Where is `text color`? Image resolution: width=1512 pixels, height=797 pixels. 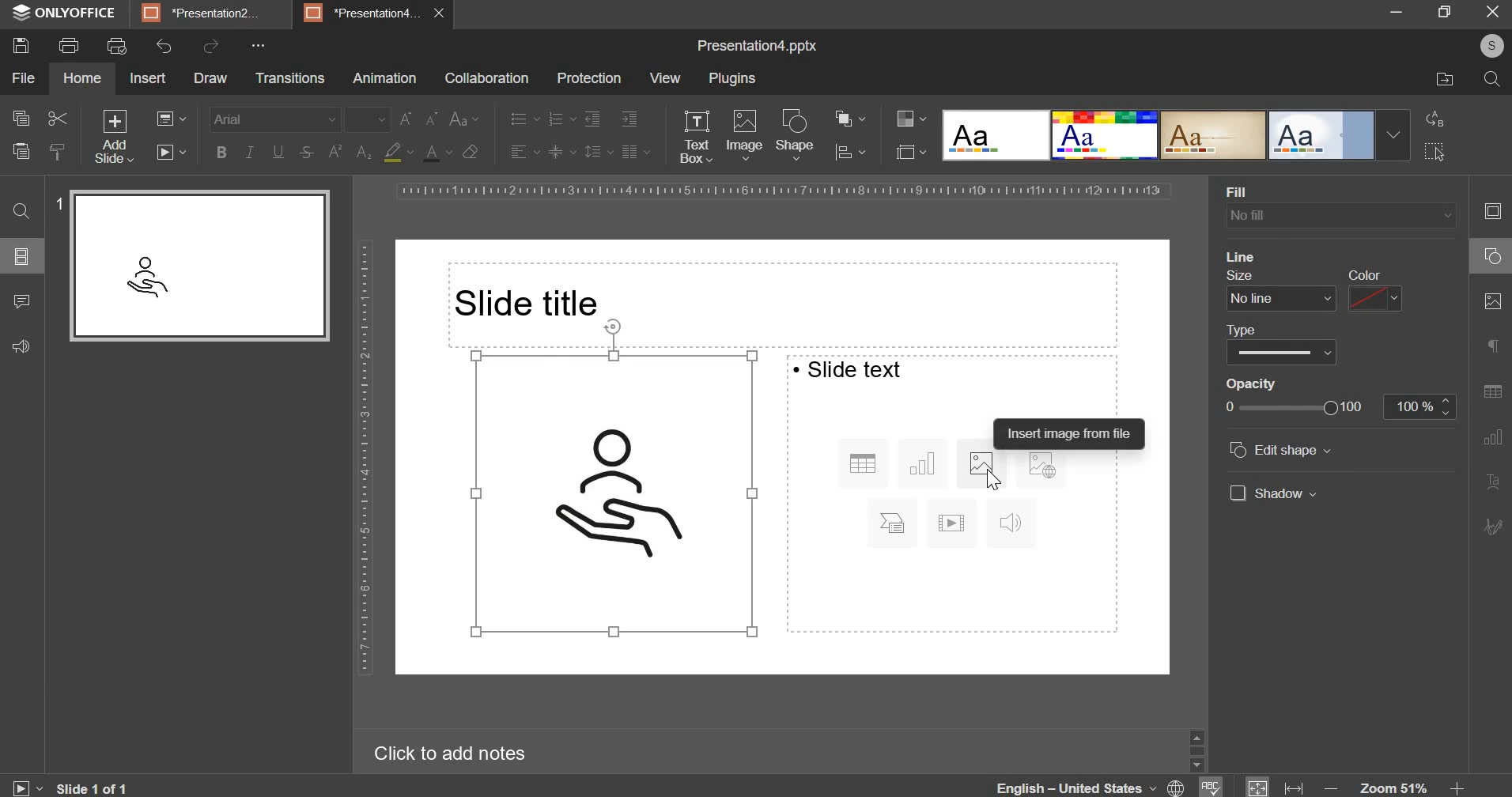
text color is located at coordinates (437, 153).